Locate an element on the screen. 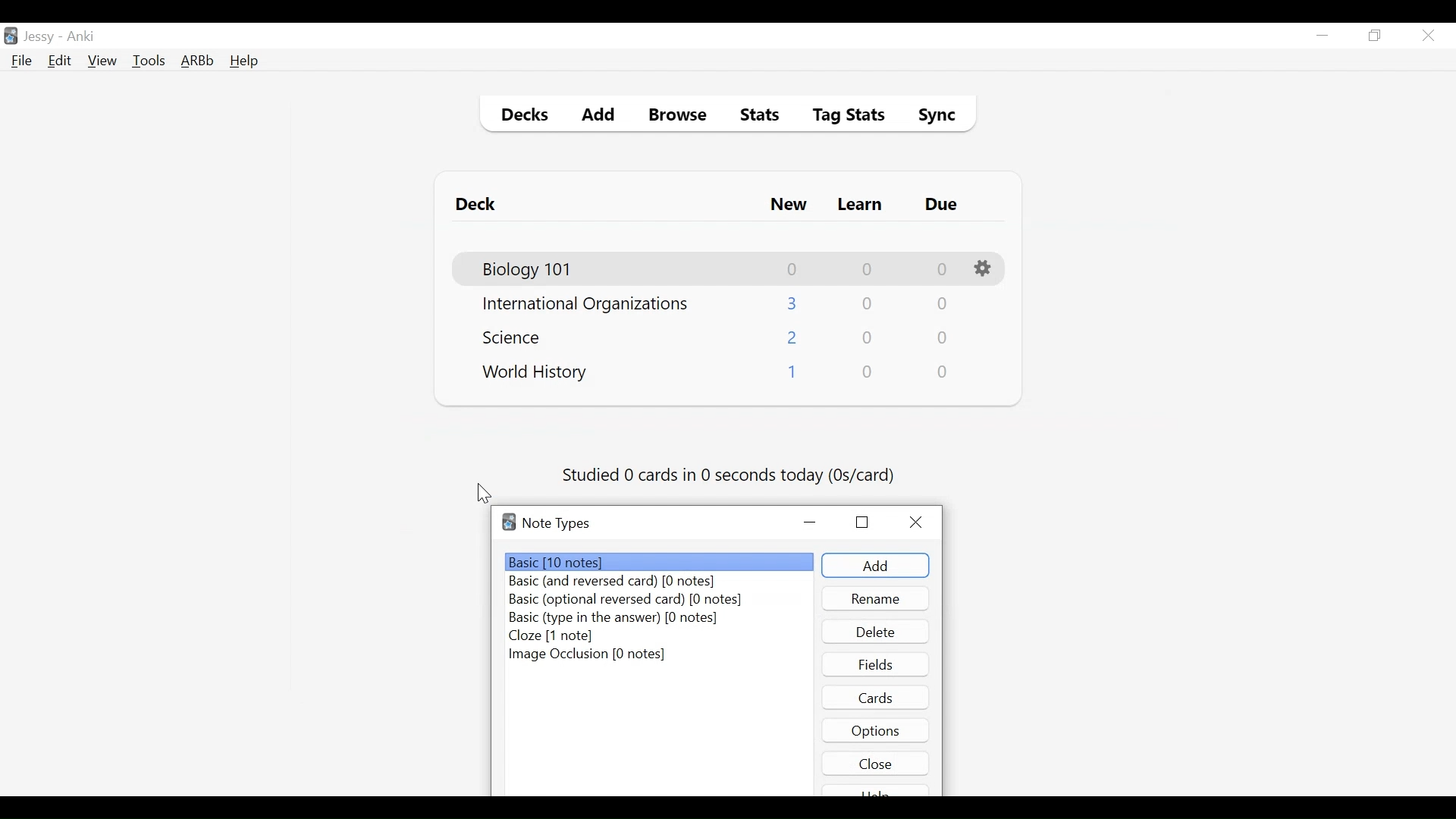 The width and height of the screenshot is (1456, 819). New Card Count is located at coordinates (793, 269).